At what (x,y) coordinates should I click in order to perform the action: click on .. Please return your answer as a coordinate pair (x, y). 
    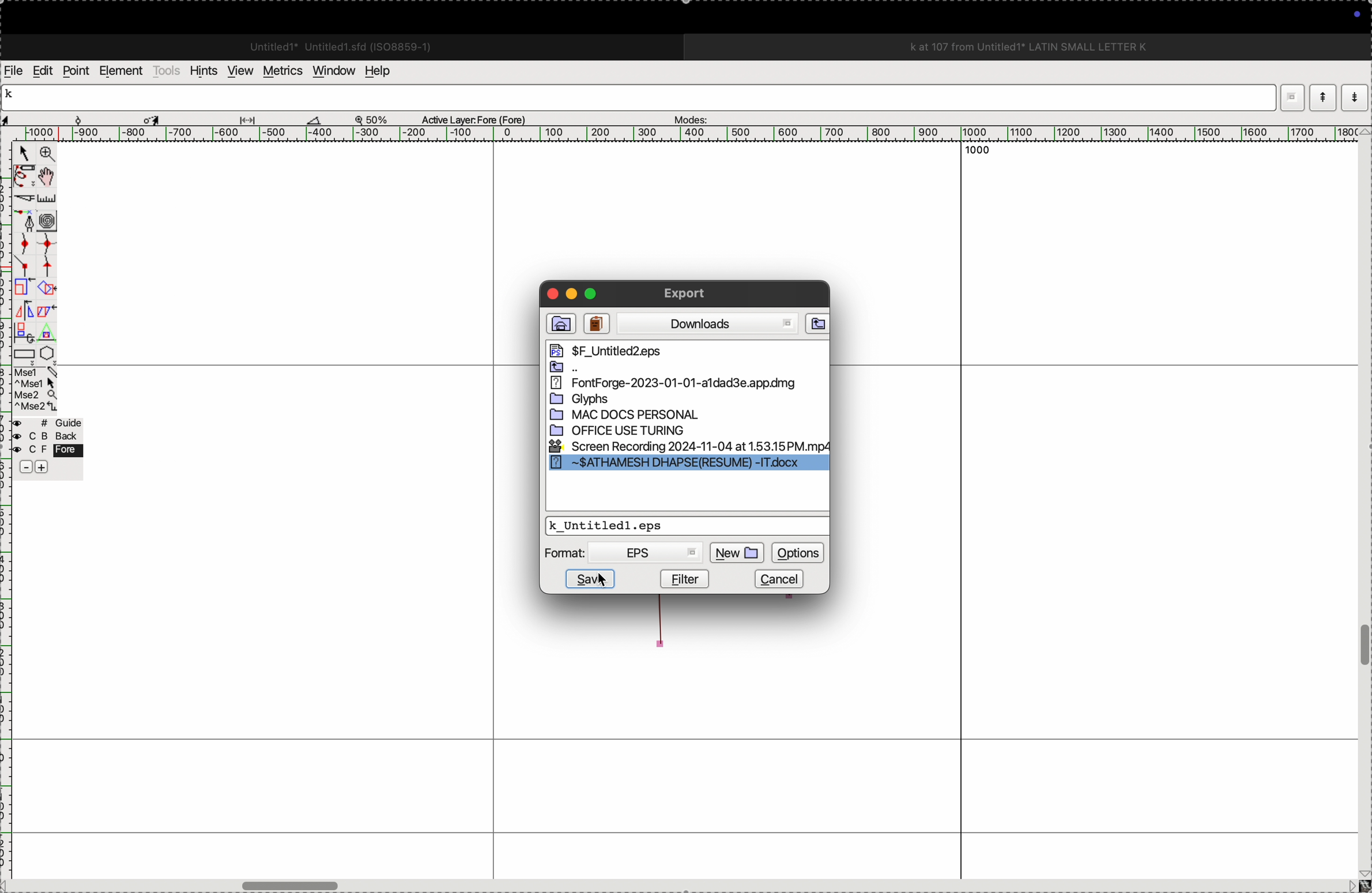
    Looking at the image, I should click on (1353, 97).